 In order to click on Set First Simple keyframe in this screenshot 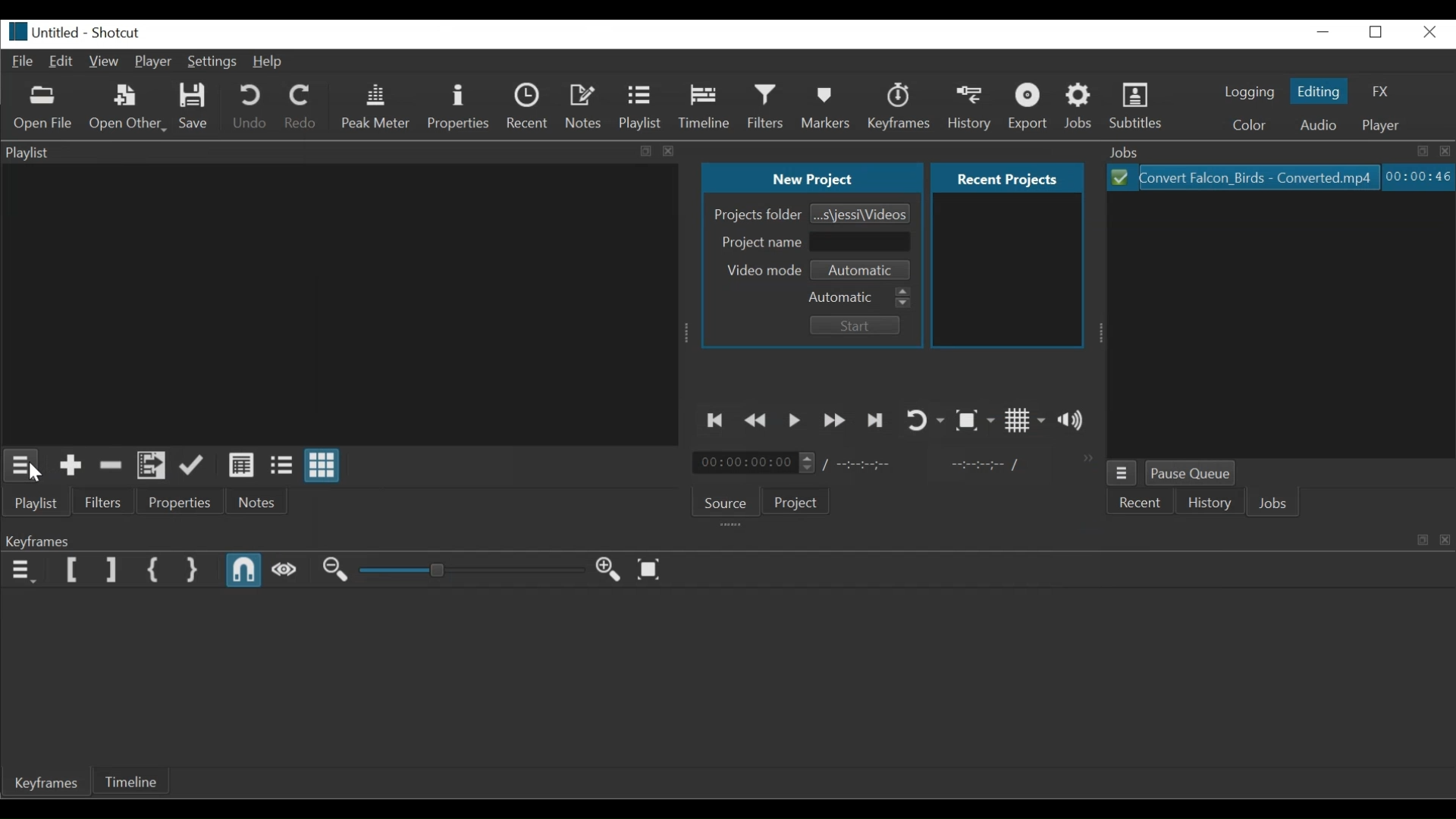, I will do `click(156, 570)`.